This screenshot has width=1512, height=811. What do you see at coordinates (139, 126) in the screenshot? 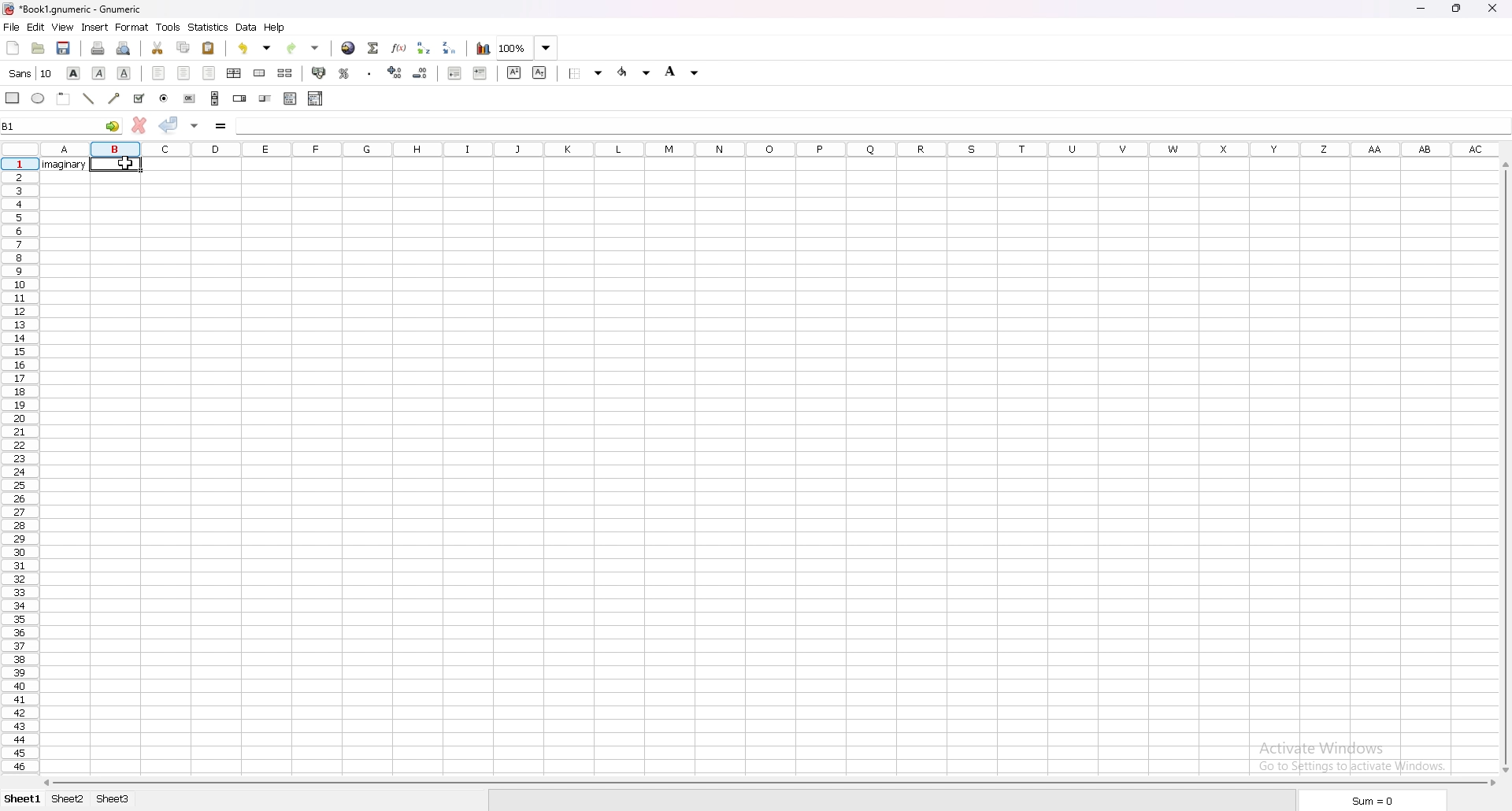
I see `cancel change` at bounding box center [139, 126].